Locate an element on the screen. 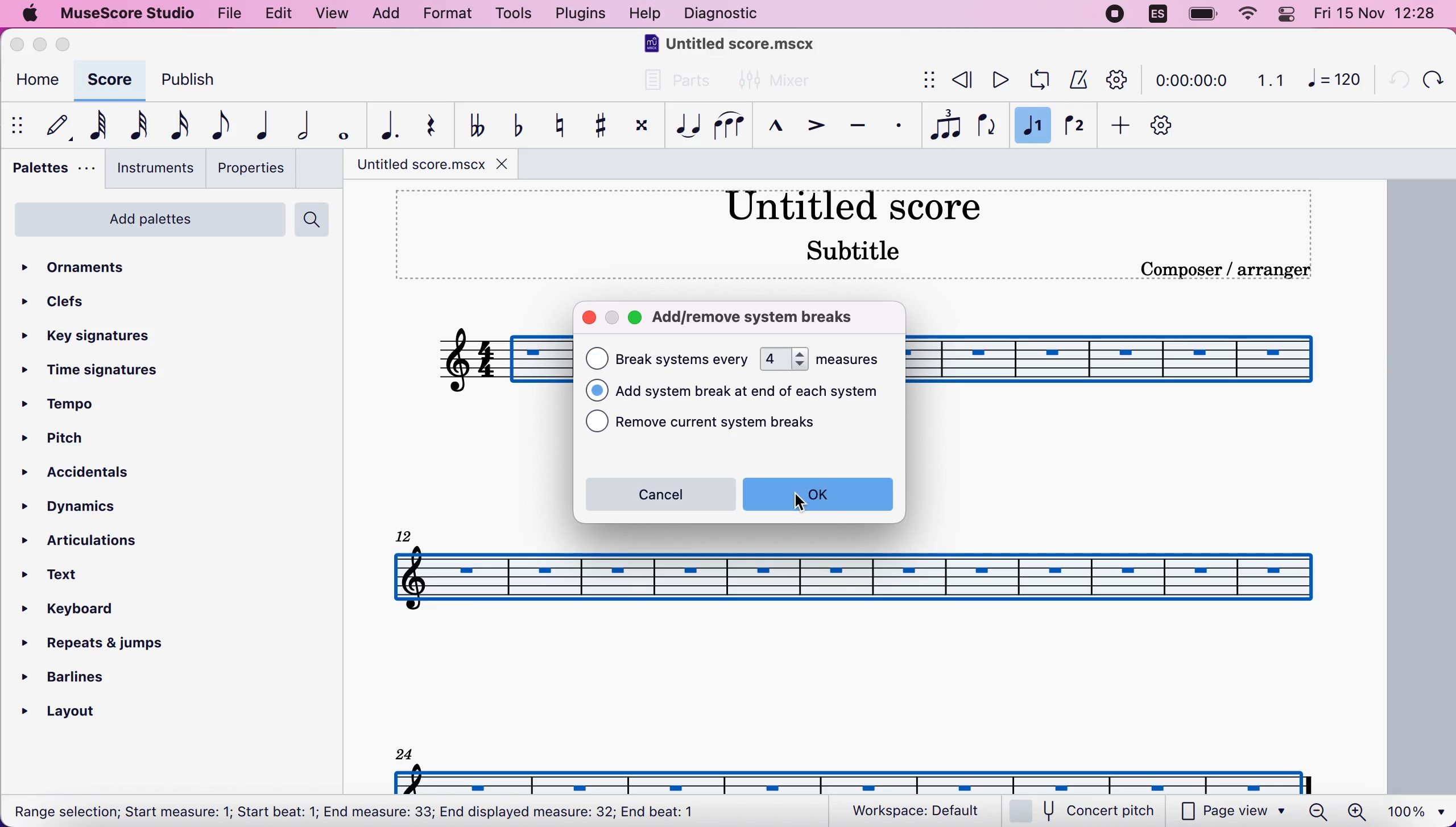 The width and height of the screenshot is (1456, 827). 120 is located at coordinates (1334, 78).